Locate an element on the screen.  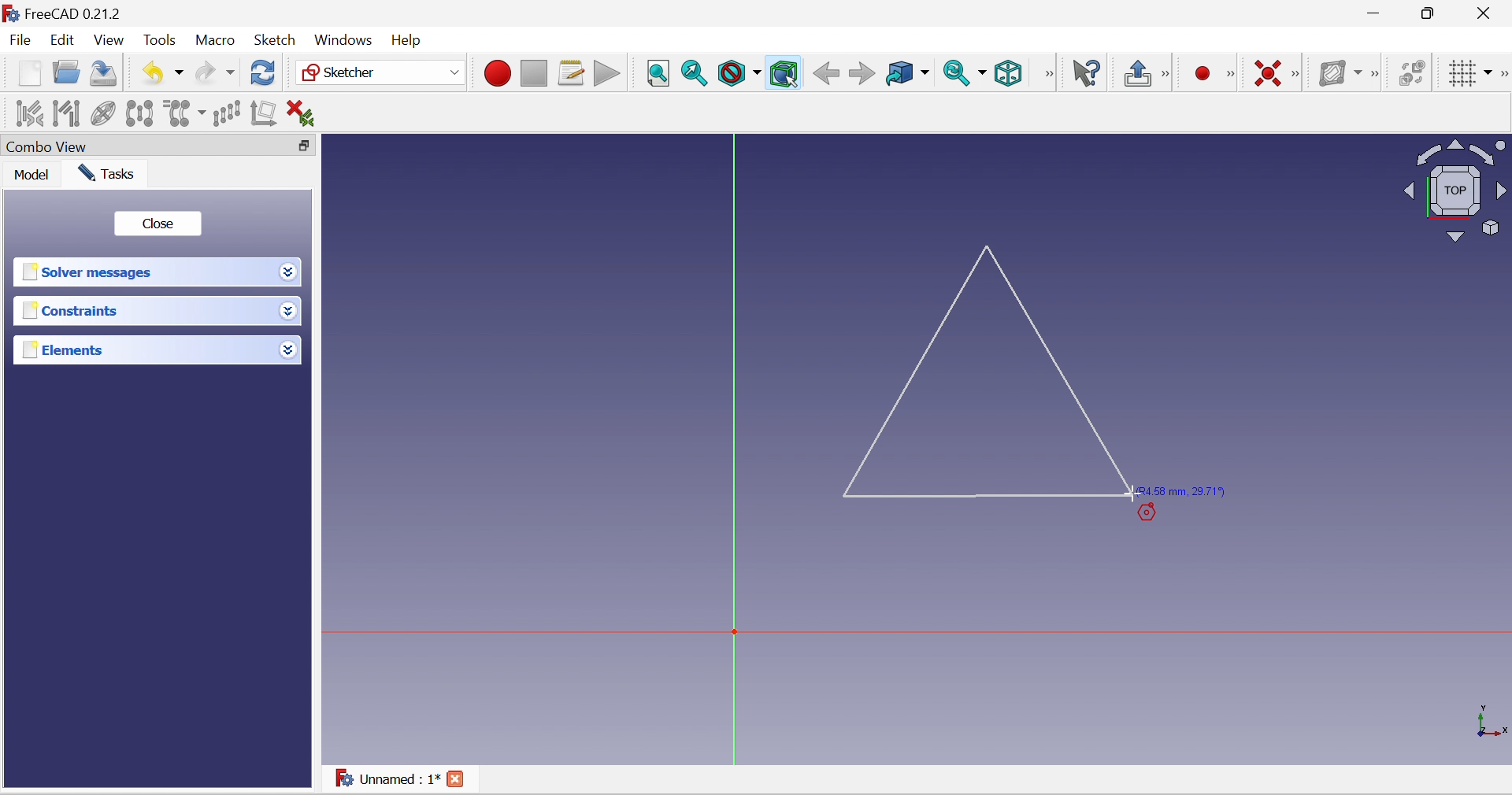
Go to linked object is located at coordinates (908, 74).